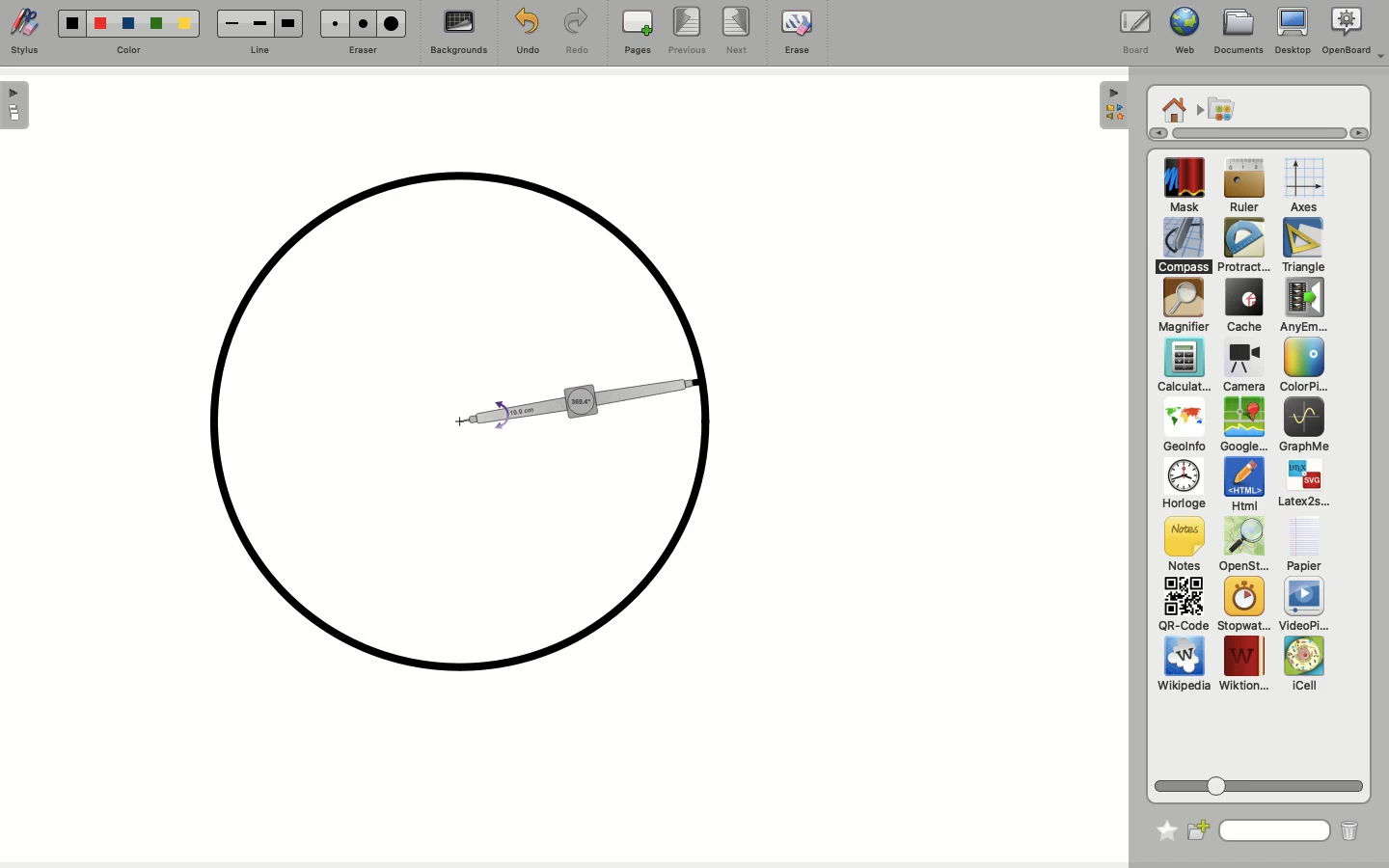  I want to click on Erase, so click(796, 31).